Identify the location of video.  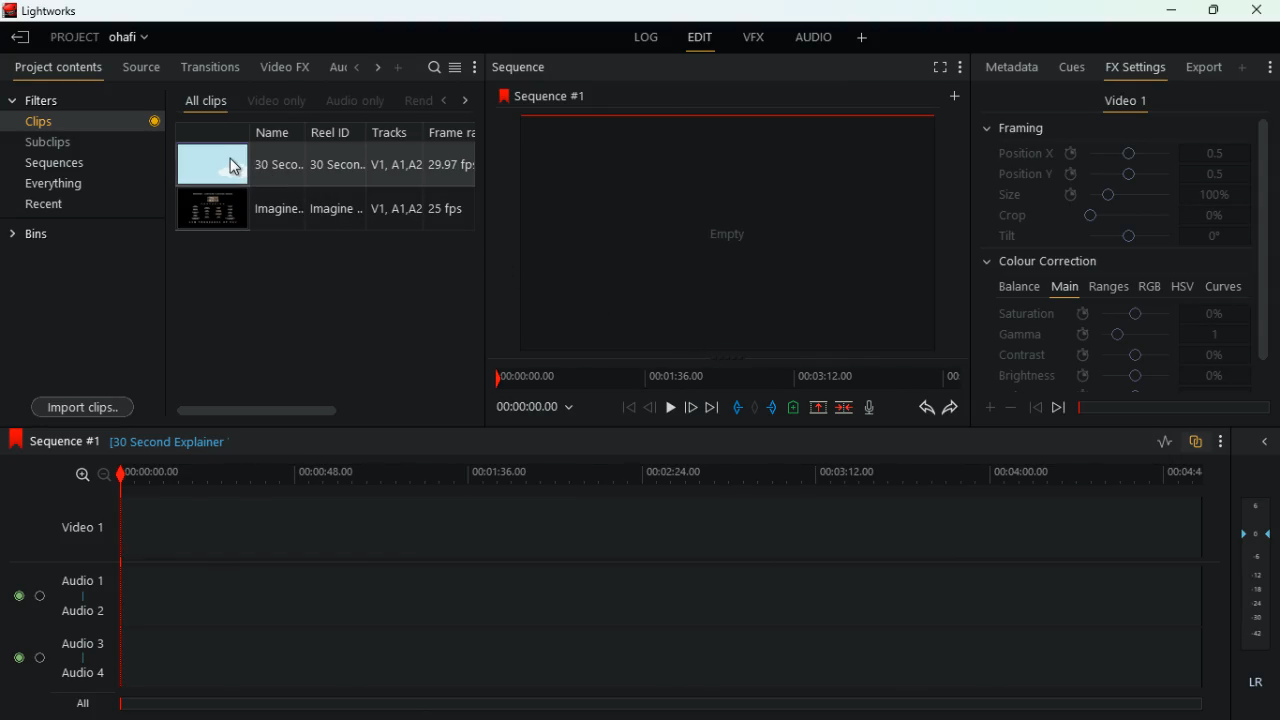
(210, 211).